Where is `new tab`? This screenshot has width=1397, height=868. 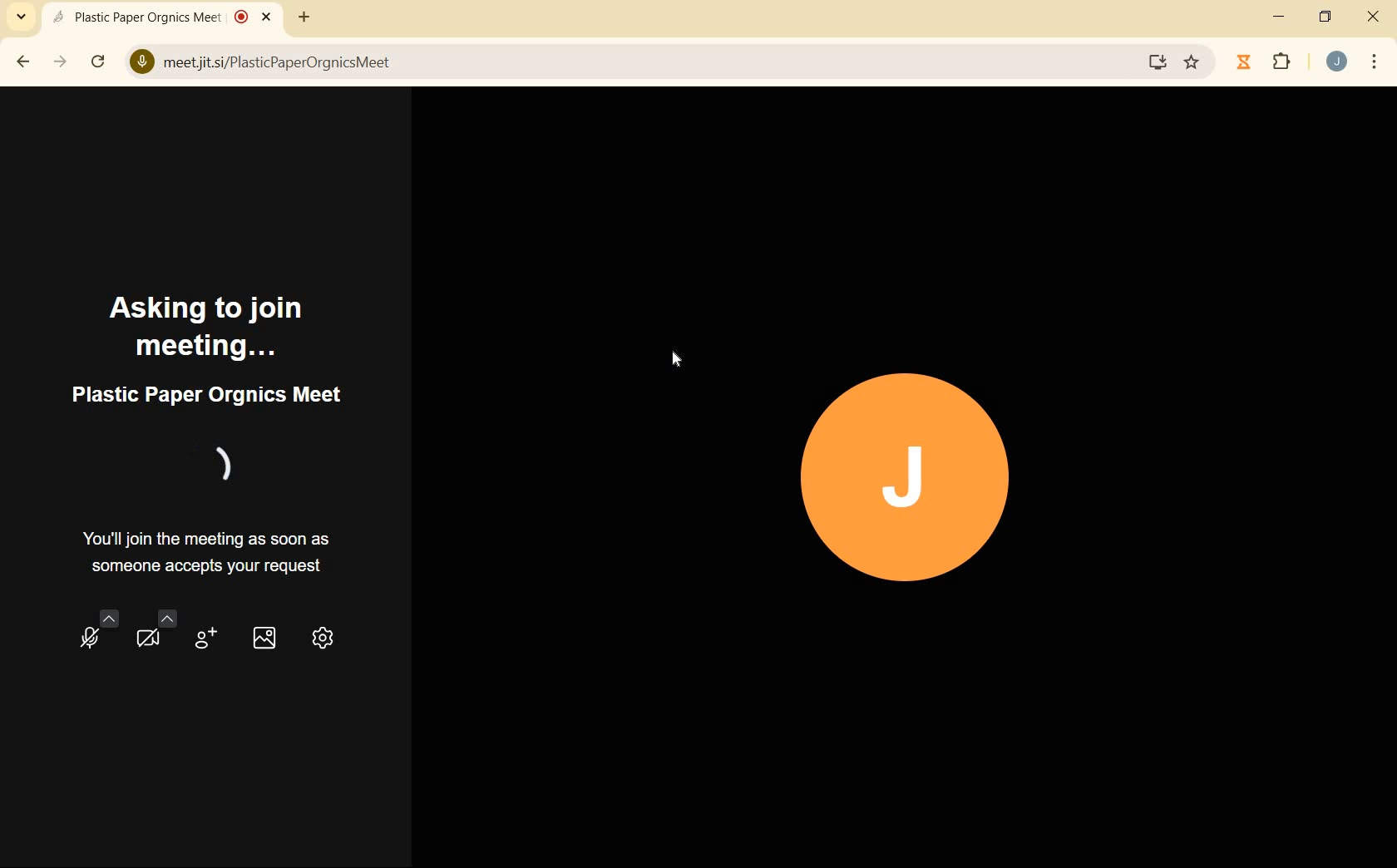 new tab is located at coordinates (301, 20).